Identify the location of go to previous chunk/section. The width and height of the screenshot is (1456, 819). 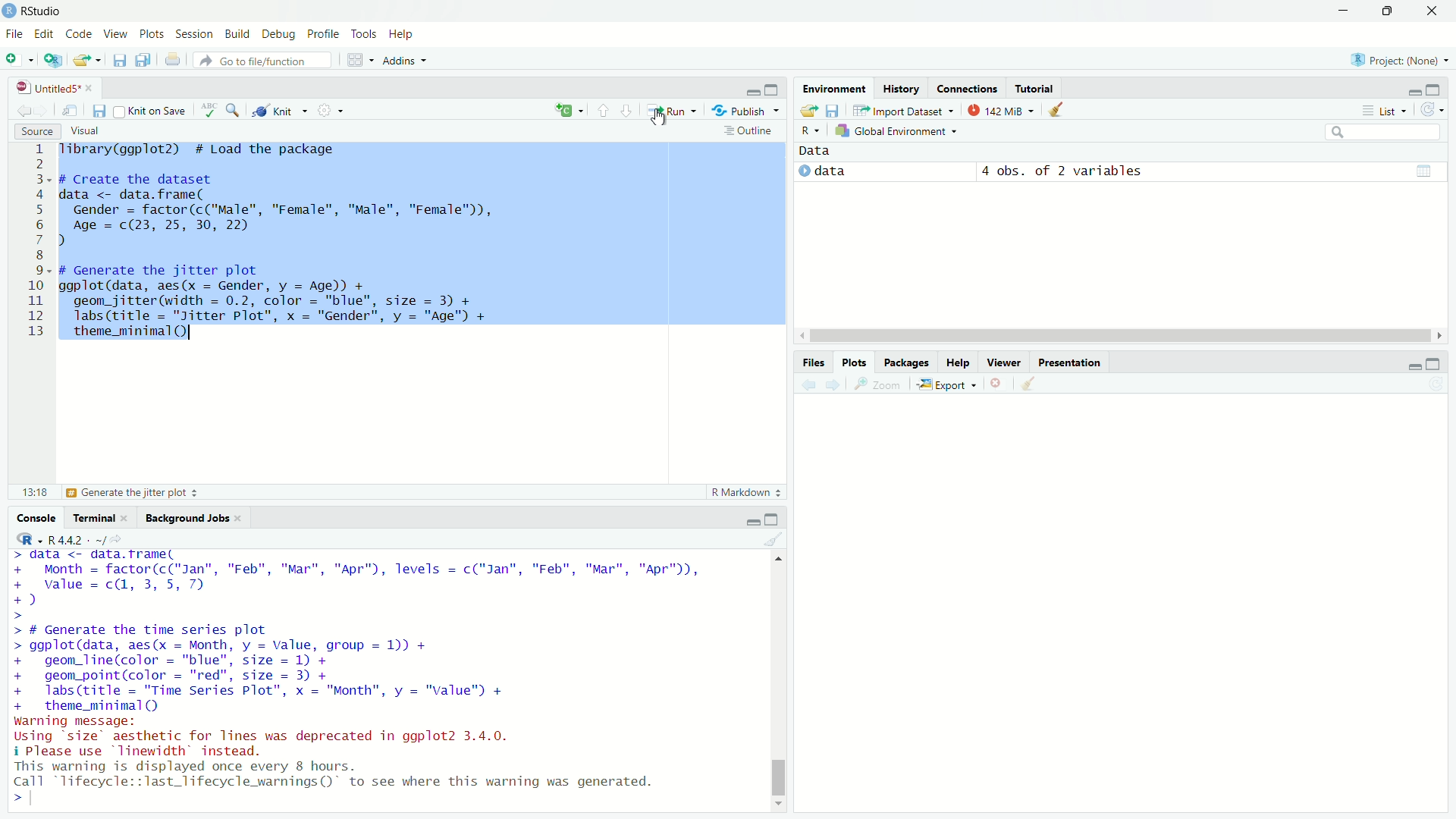
(602, 108).